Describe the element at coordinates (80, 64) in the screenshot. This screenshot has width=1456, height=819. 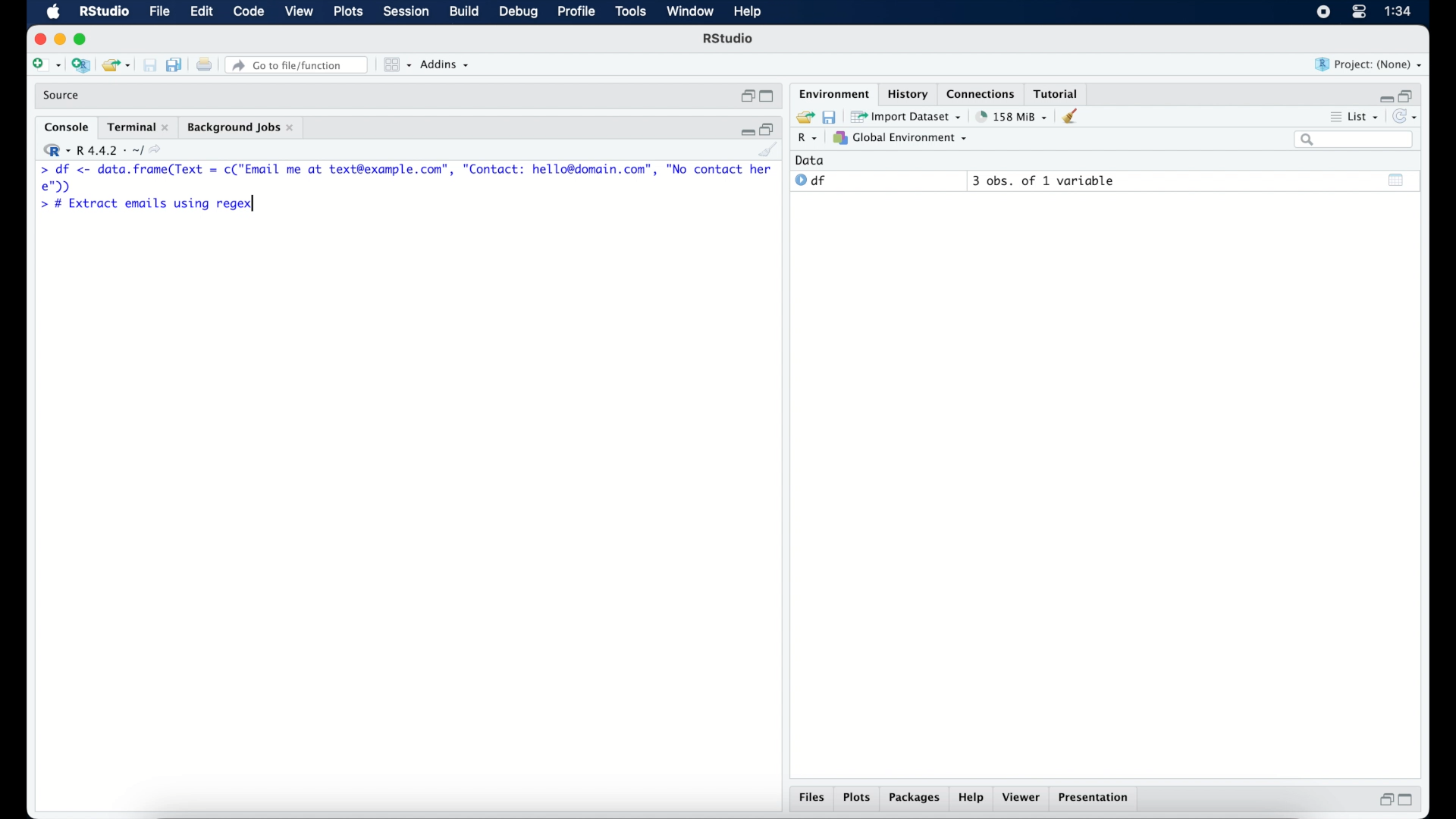
I see `create new project` at that location.